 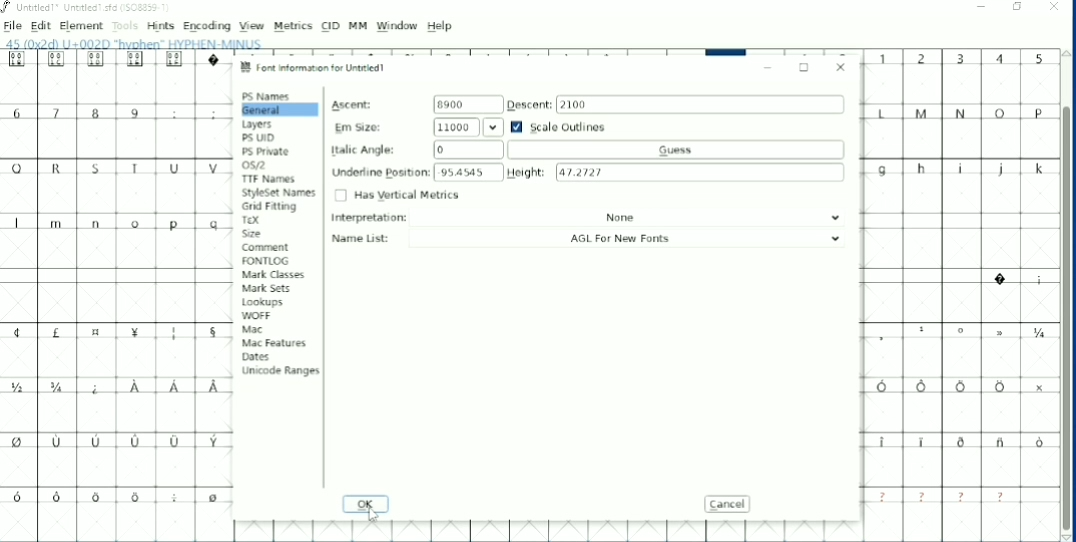 What do you see at coordinates (266, 261) in the screenshot?
I see `FONTLOG` at bounding box center [266, 261].